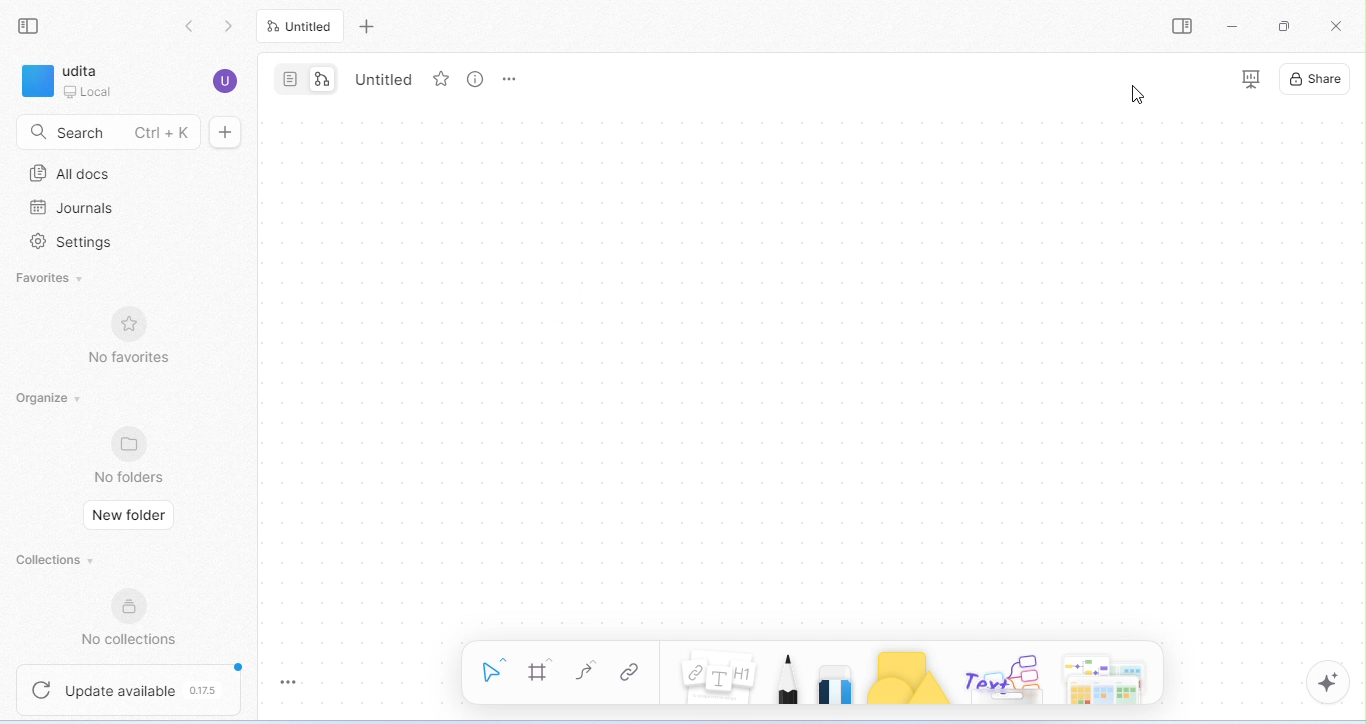 The width and height of the screenshot is (1366, 724). I want to click on untitled, so click(304, 28).